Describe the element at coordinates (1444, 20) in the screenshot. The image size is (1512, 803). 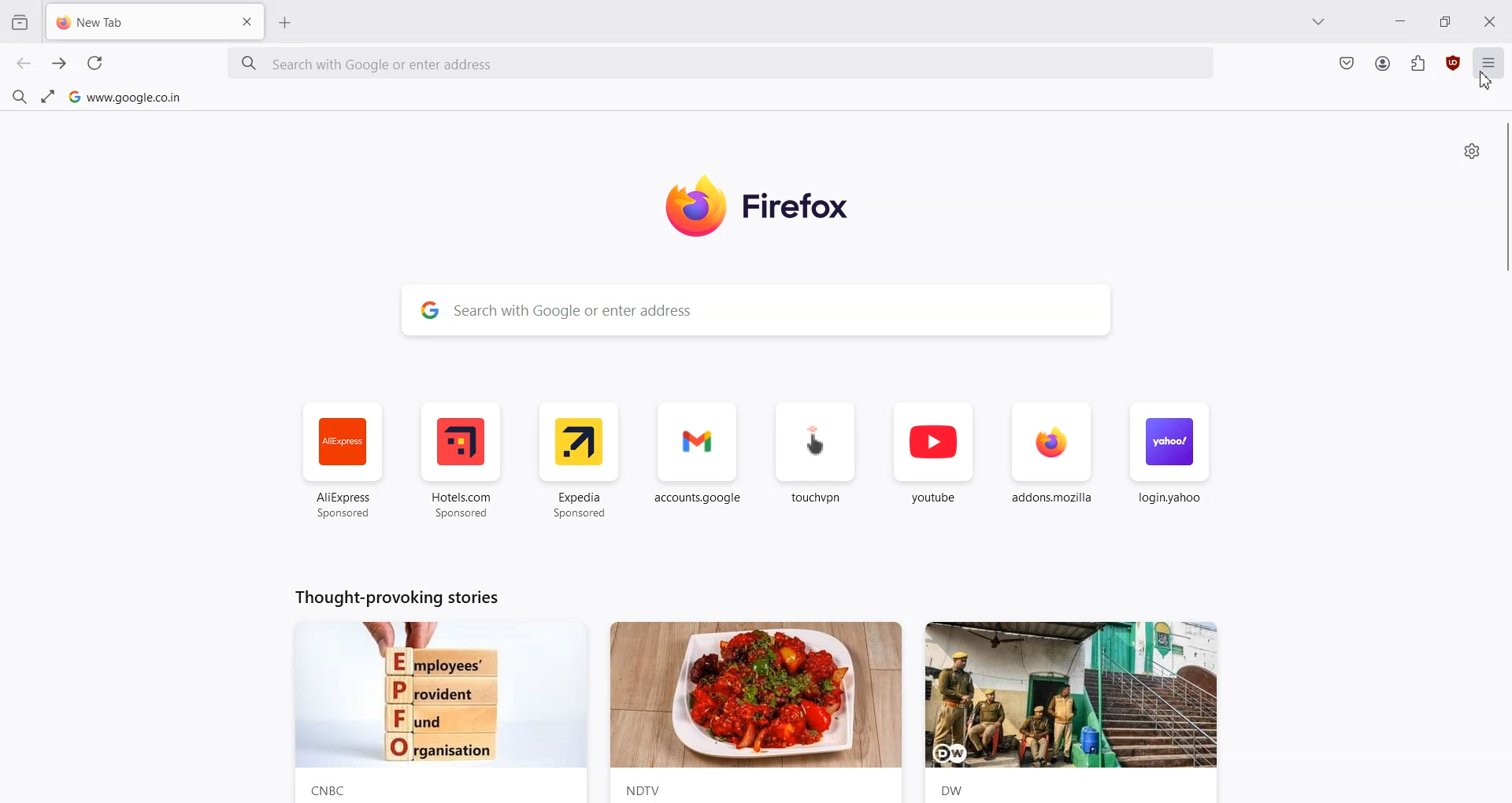
I see `Maximize` at that location.